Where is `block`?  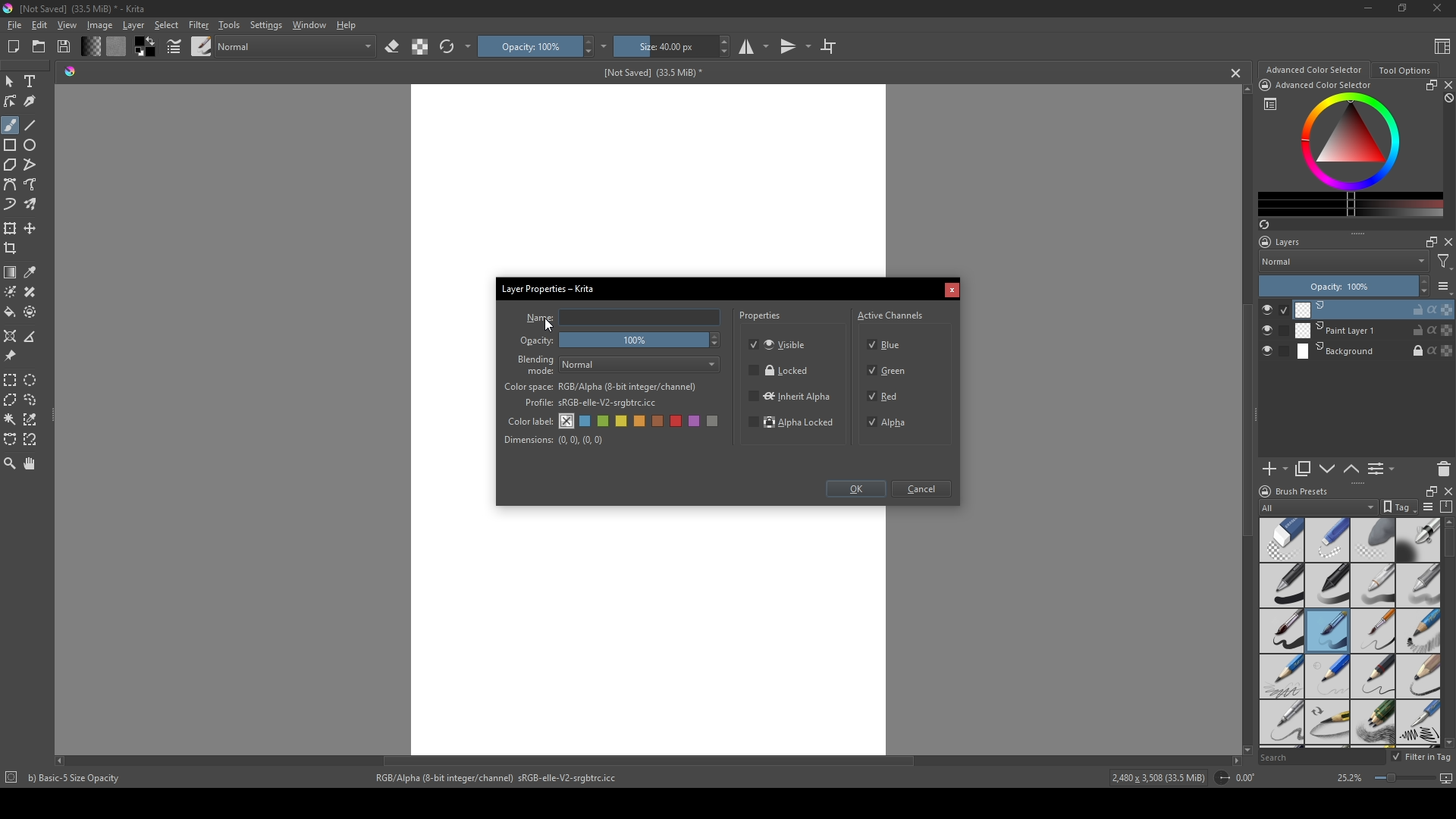 block is located at coordinates (1447, 99).